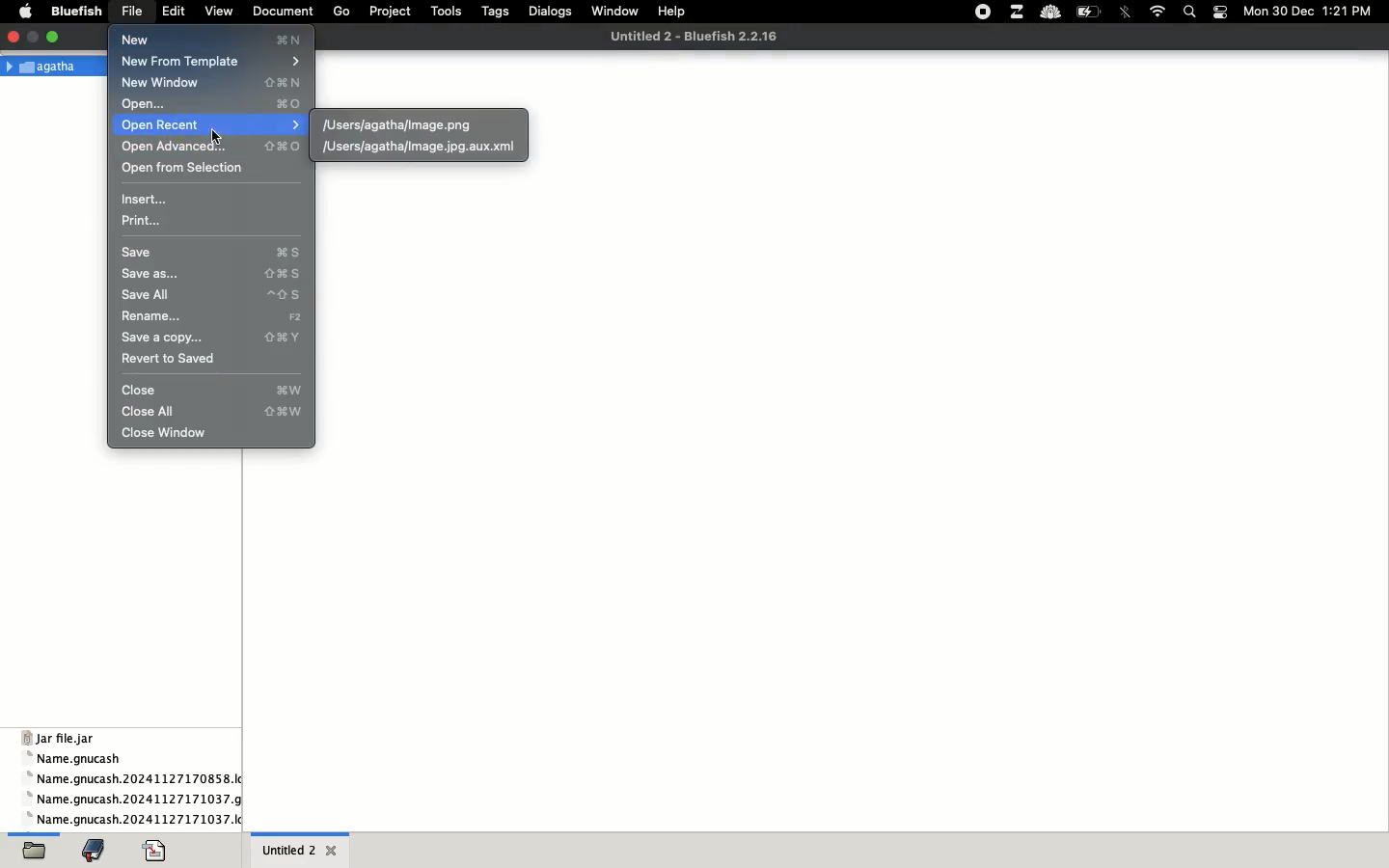 This screenshot has height=868, width=1389. Describe the element at coordinates (199, 169) in the screenshot. I see `open from selection` at that location.